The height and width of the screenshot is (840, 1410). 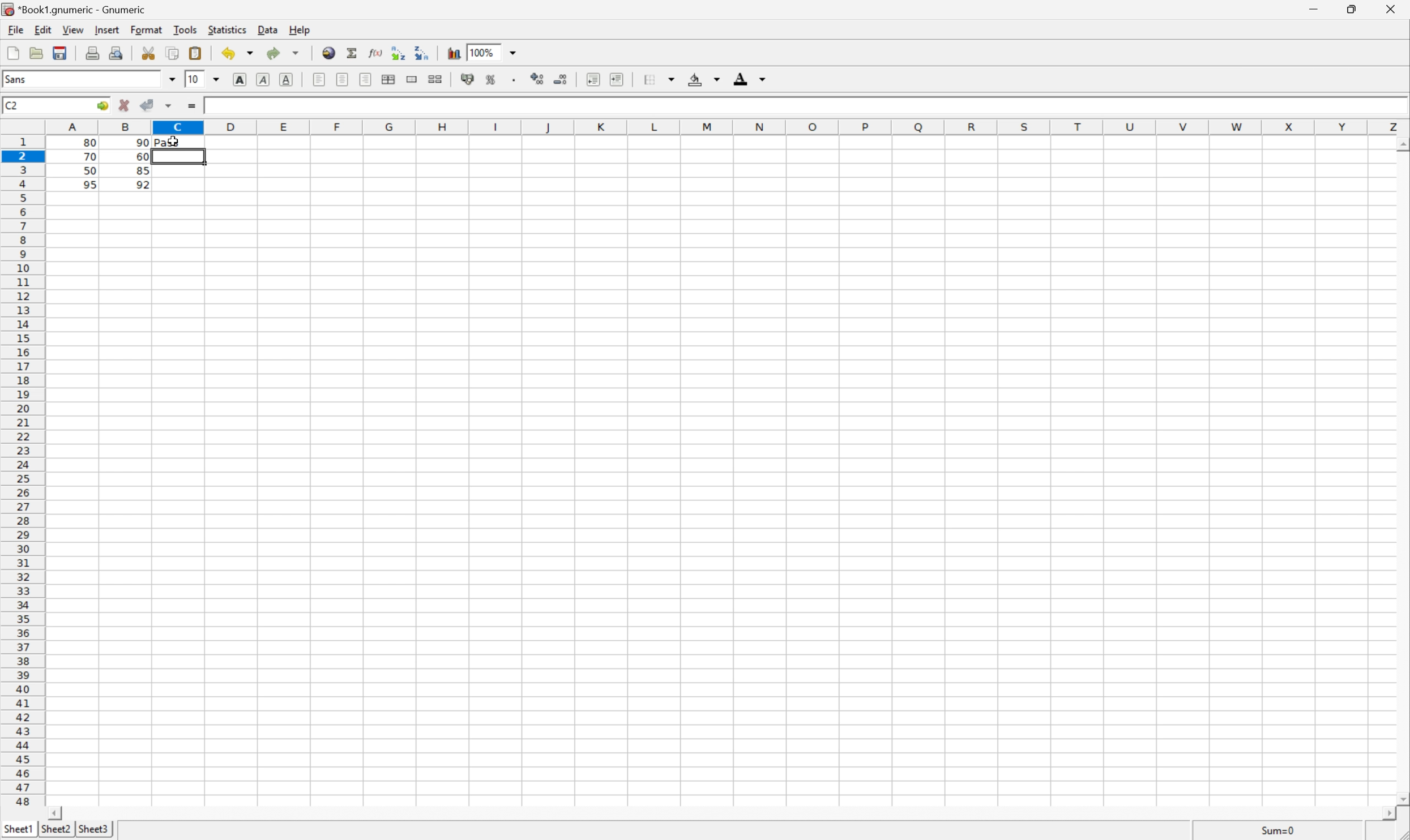 I want to click on 95, so click(x=89, y=185).